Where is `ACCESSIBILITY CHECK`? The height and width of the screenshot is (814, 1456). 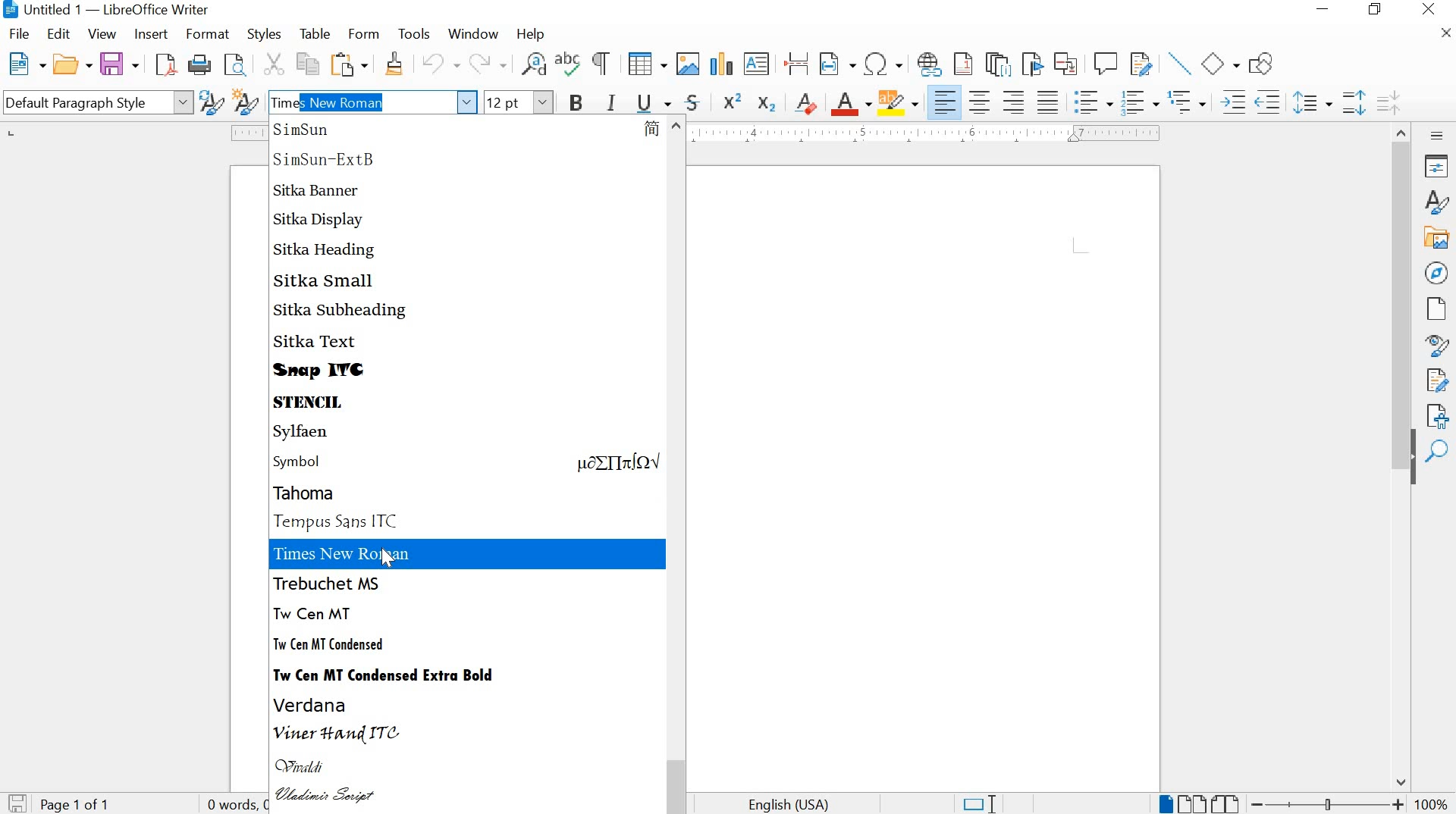
ACCESSIBILITY CHECK is located at coordinates (1439, 414).